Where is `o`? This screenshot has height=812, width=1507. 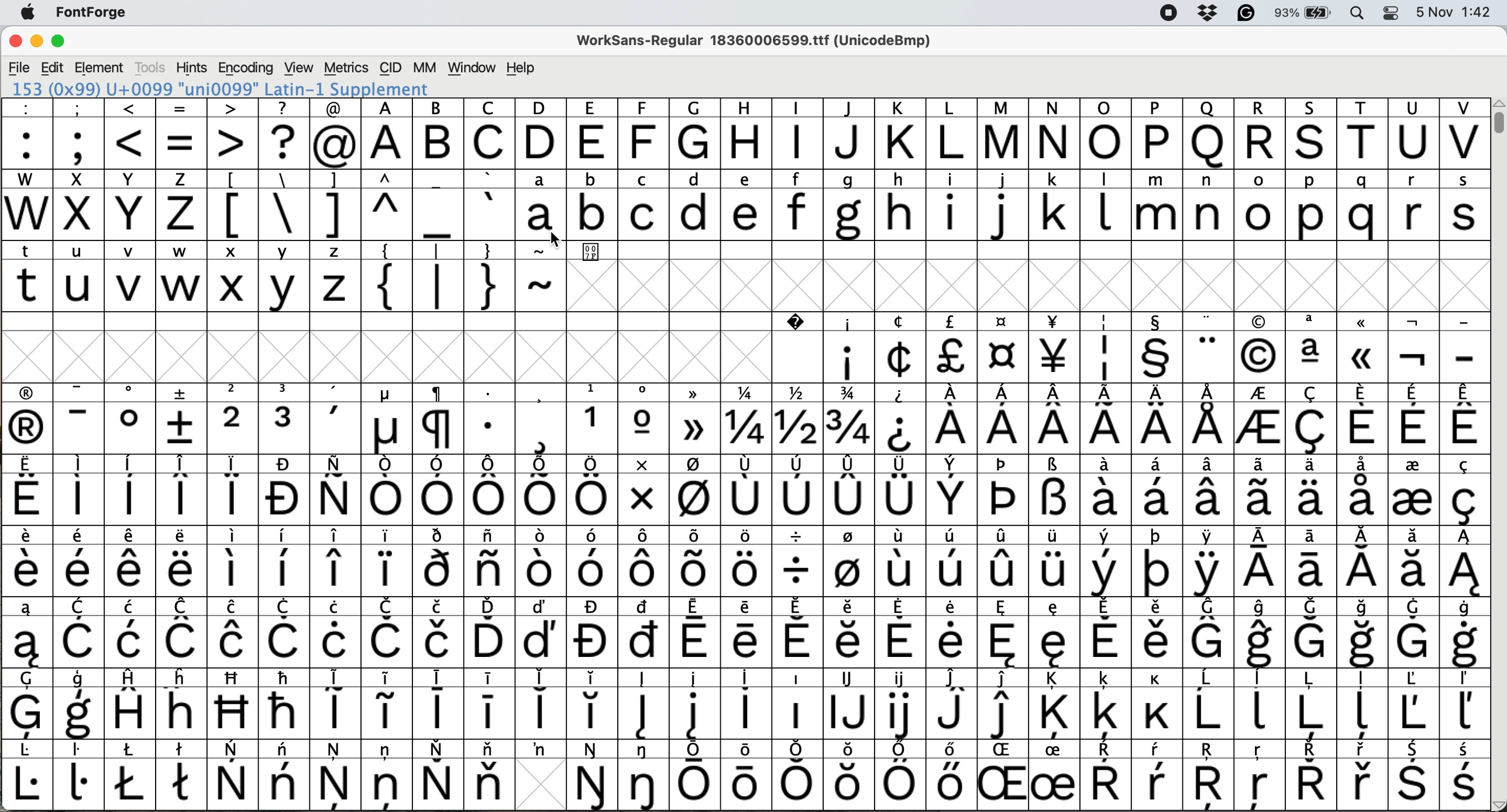 o is located at coordinates (1261, 207).